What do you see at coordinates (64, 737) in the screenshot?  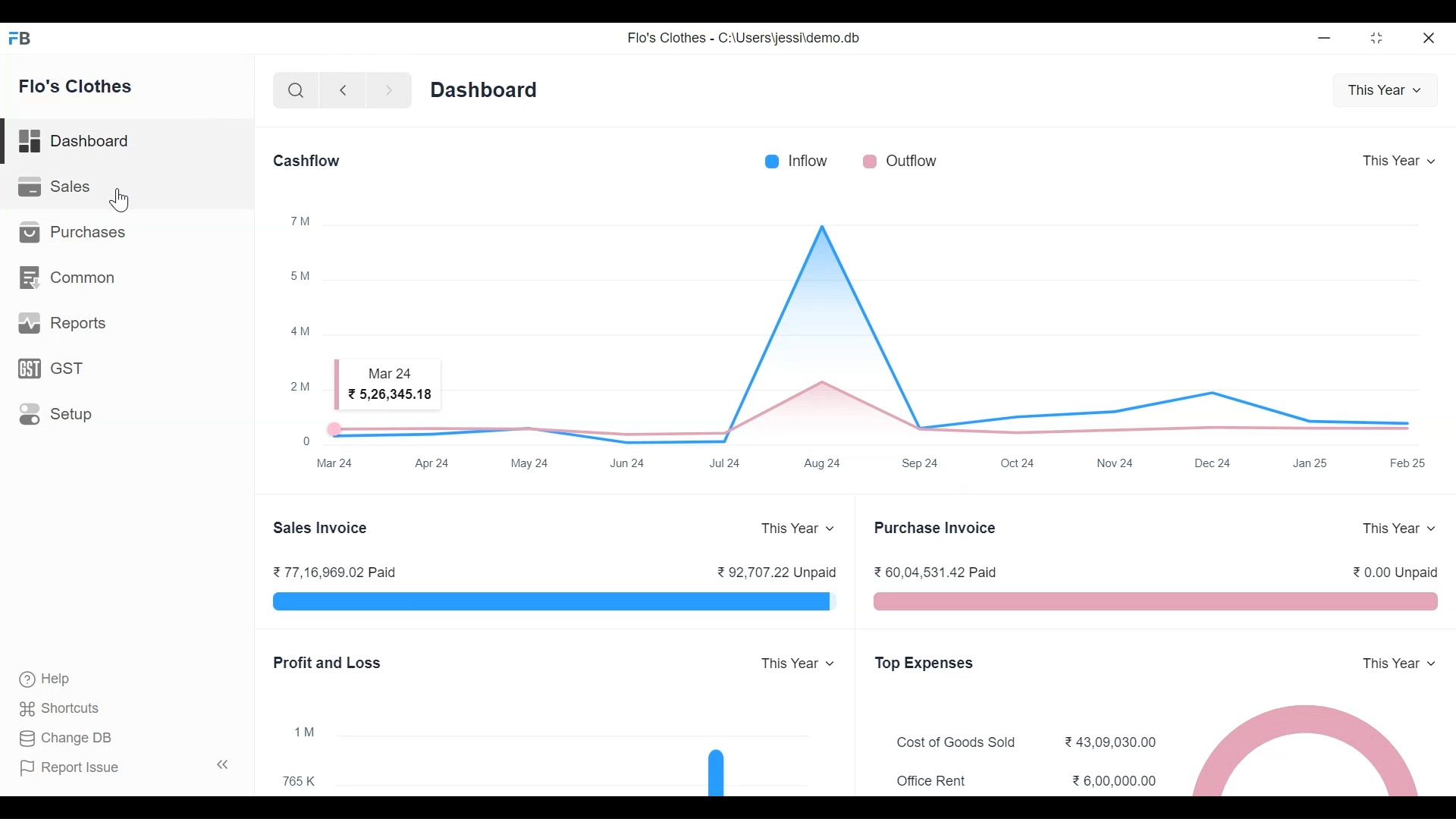 I see `Change DB` at bounding box center [64, 737].